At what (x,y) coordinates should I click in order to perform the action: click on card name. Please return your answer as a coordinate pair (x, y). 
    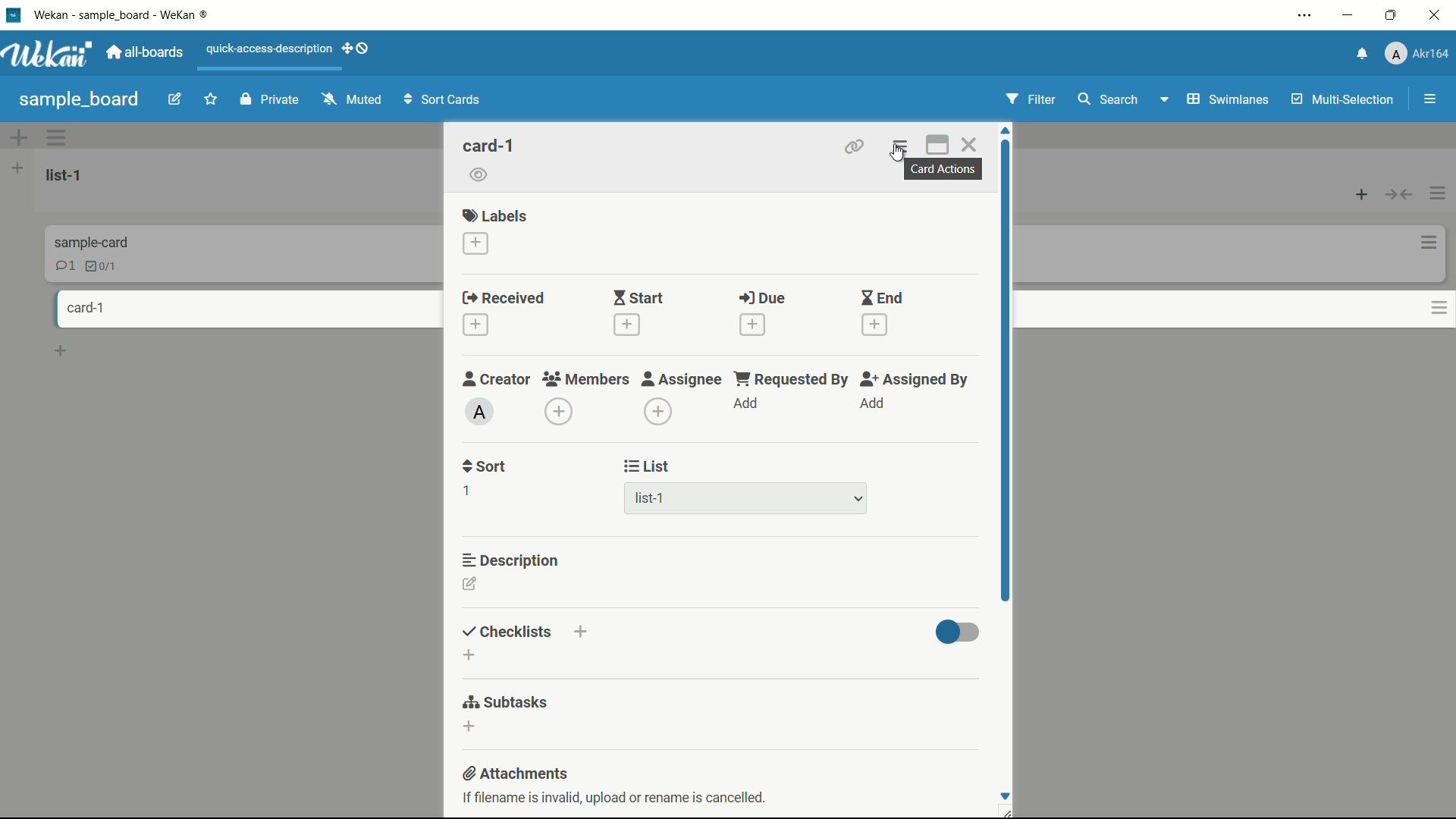
    Looking at the image, I should click on (491, 145).